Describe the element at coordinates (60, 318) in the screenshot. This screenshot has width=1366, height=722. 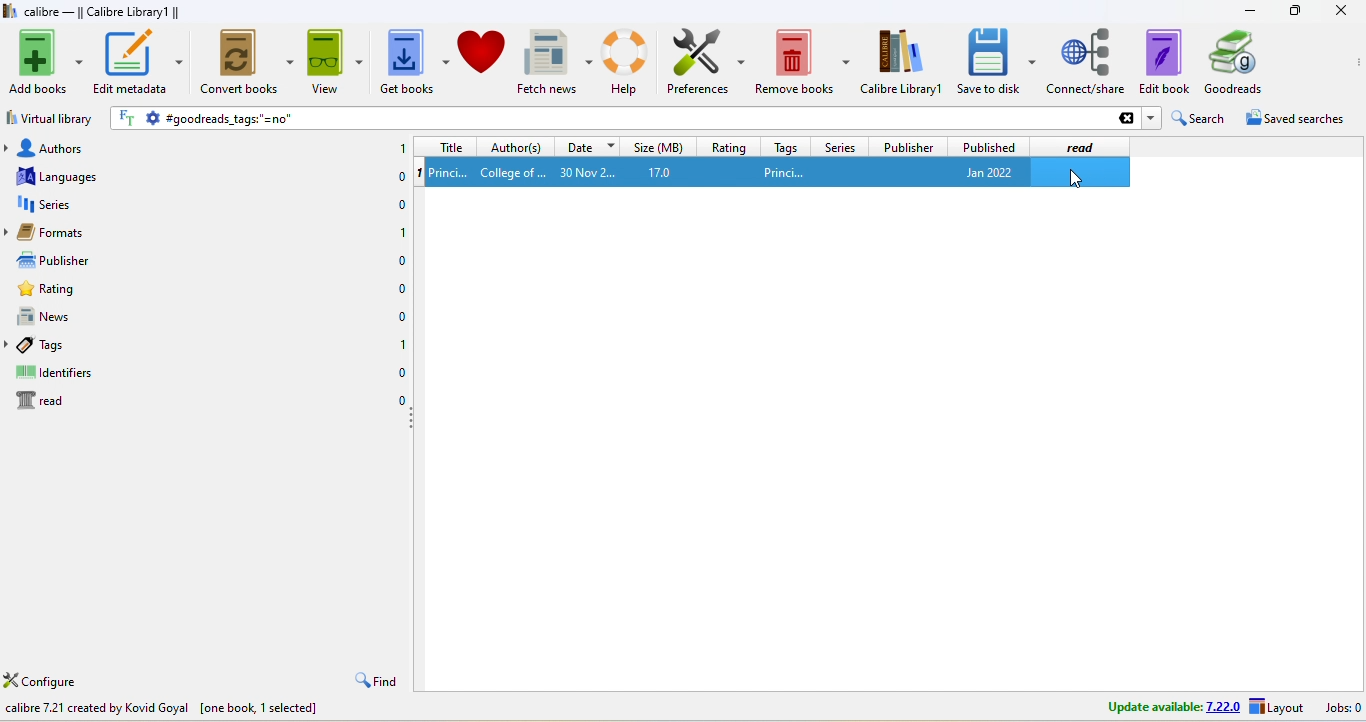
I see `news` at that location.